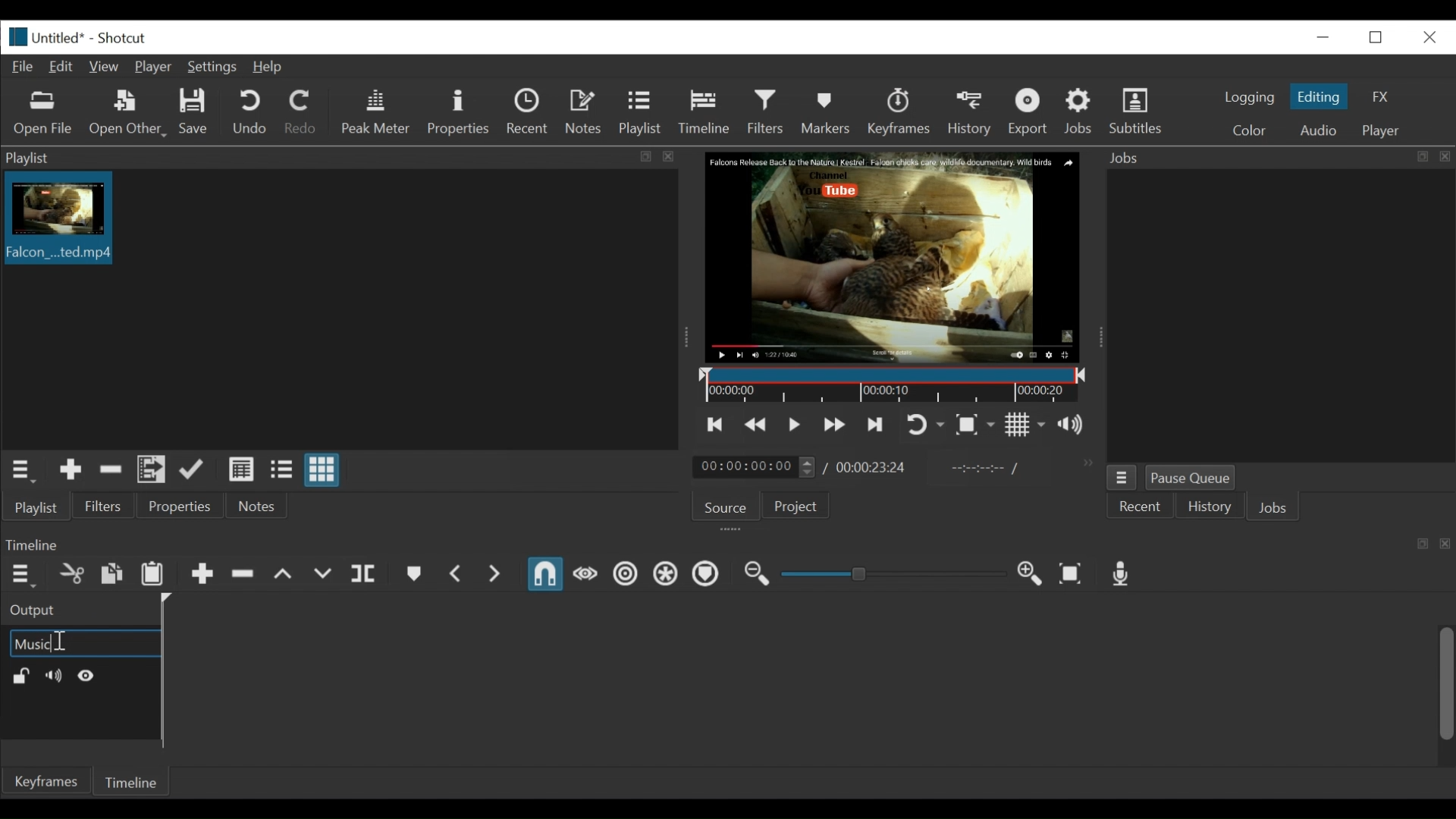 Image resolution: width=1456 pixels, height=819 pixels. I want to click on Peak Meter, so click(375, 112).